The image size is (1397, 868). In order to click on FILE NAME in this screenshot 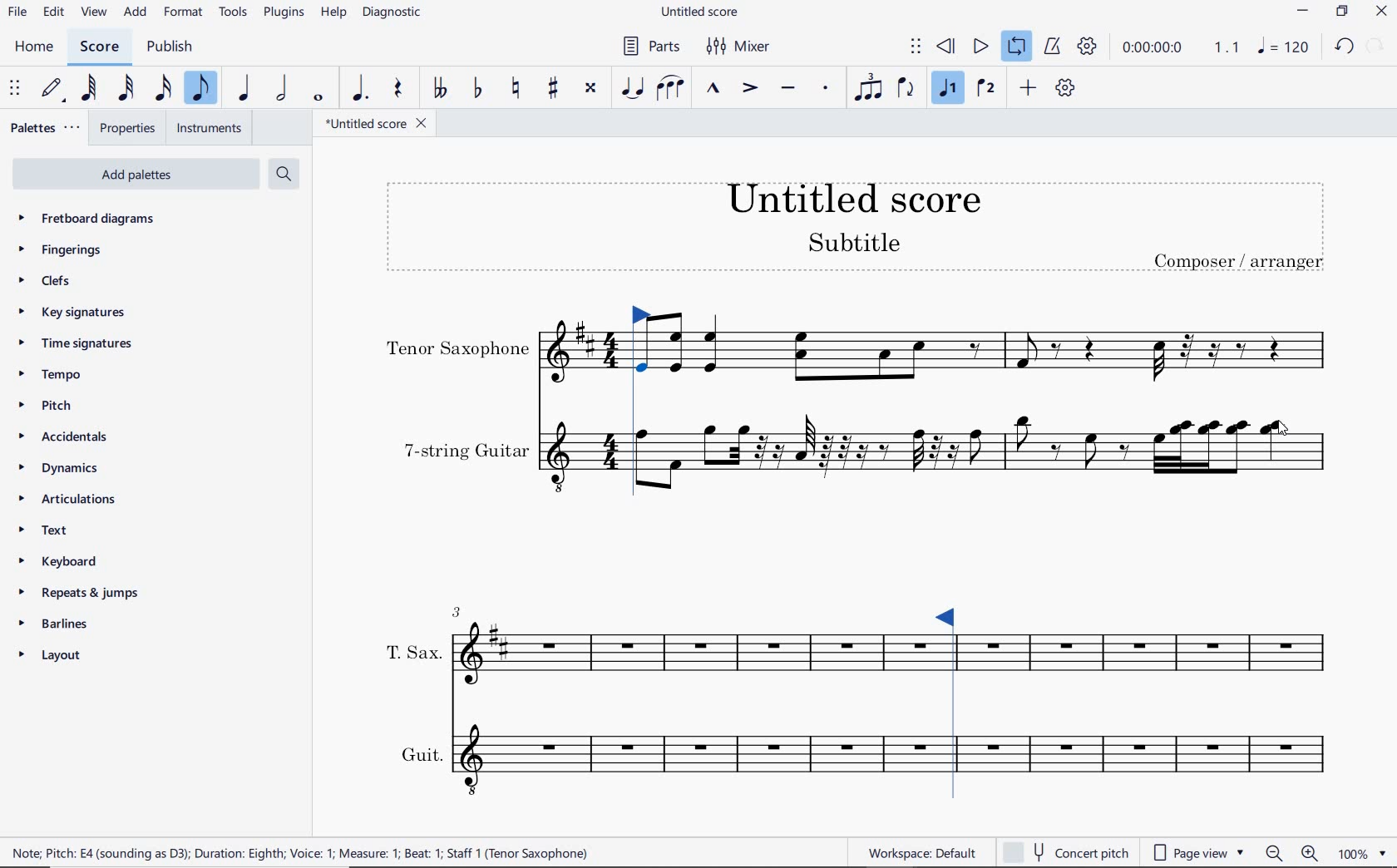, I will do `click(703, 11)`.